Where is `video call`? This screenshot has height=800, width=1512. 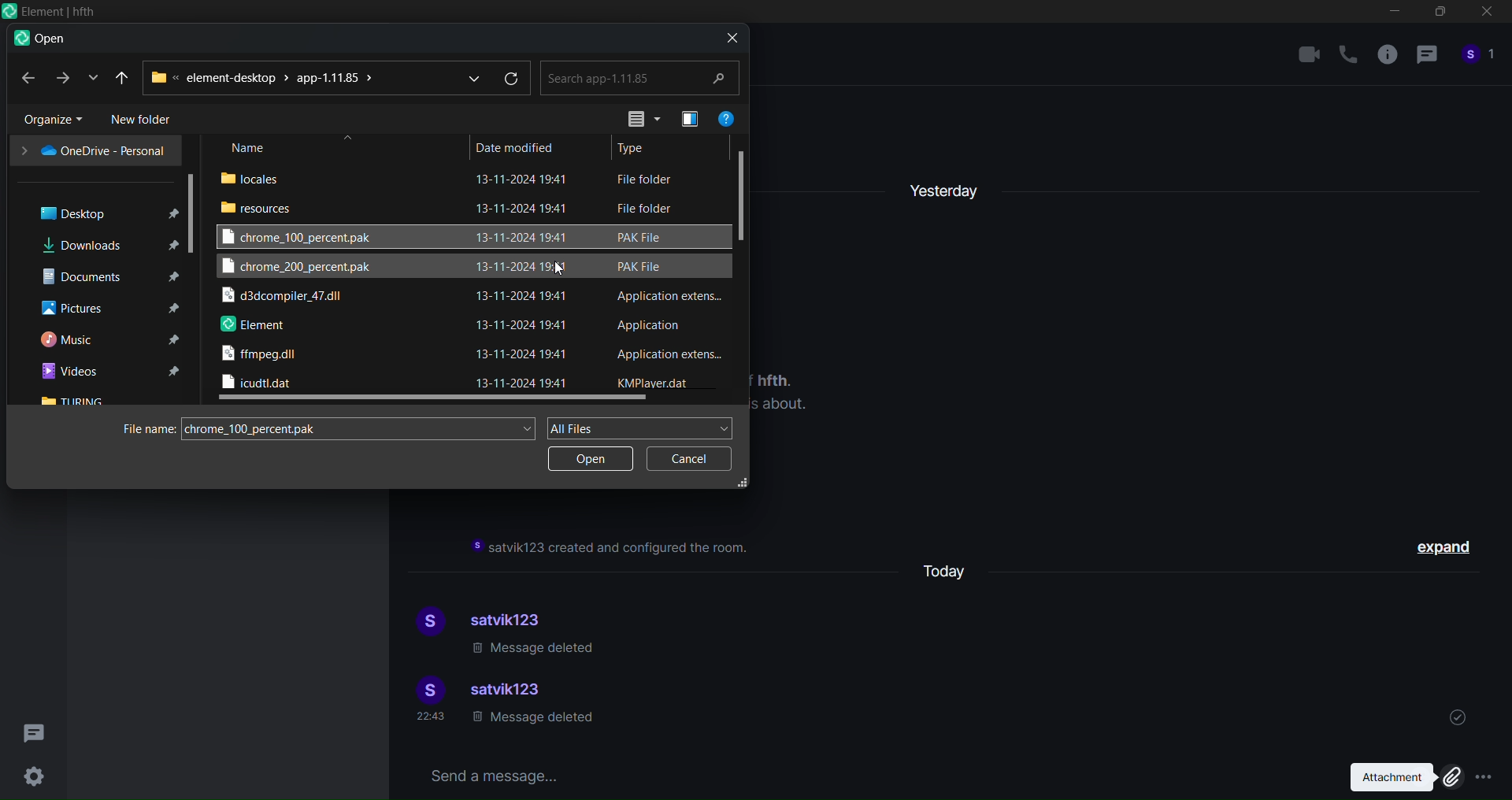 video call is located at coordinates (1309, 54).